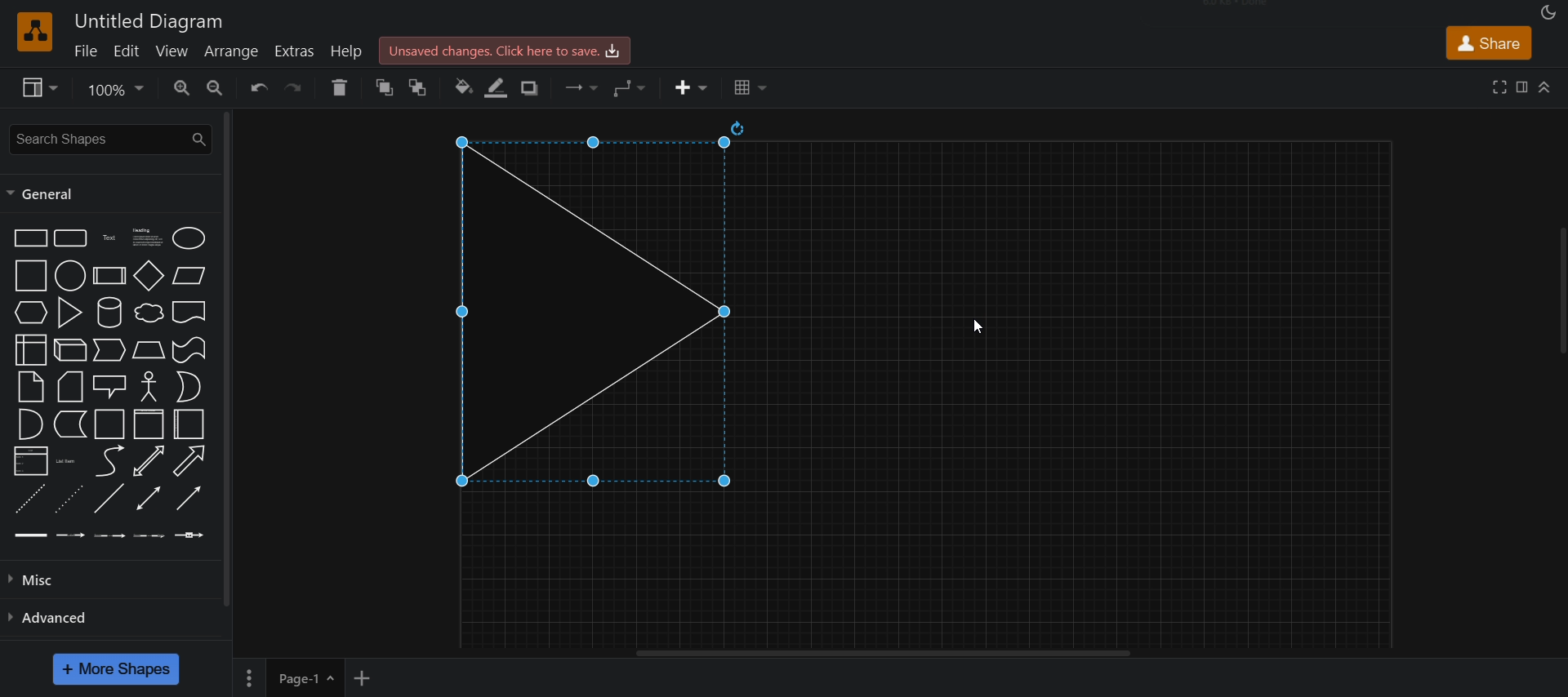 This screenshot has width=1568, height=697. Describe the element at coordinates (110, 276) in the screenshot. I see `process` at that location.